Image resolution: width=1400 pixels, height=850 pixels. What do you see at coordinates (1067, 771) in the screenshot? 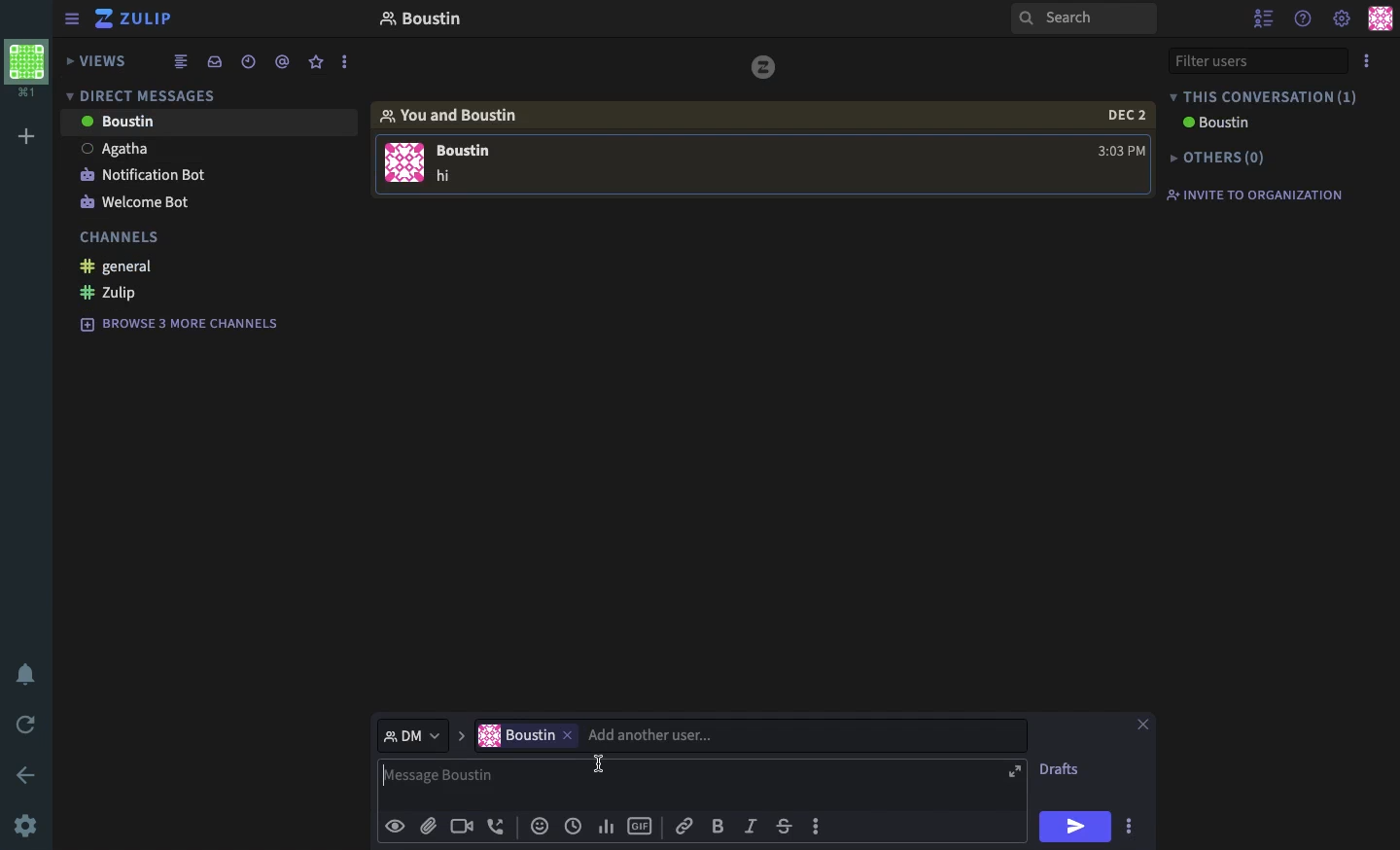
I see `drafts` at bounding box center [1067, 771].